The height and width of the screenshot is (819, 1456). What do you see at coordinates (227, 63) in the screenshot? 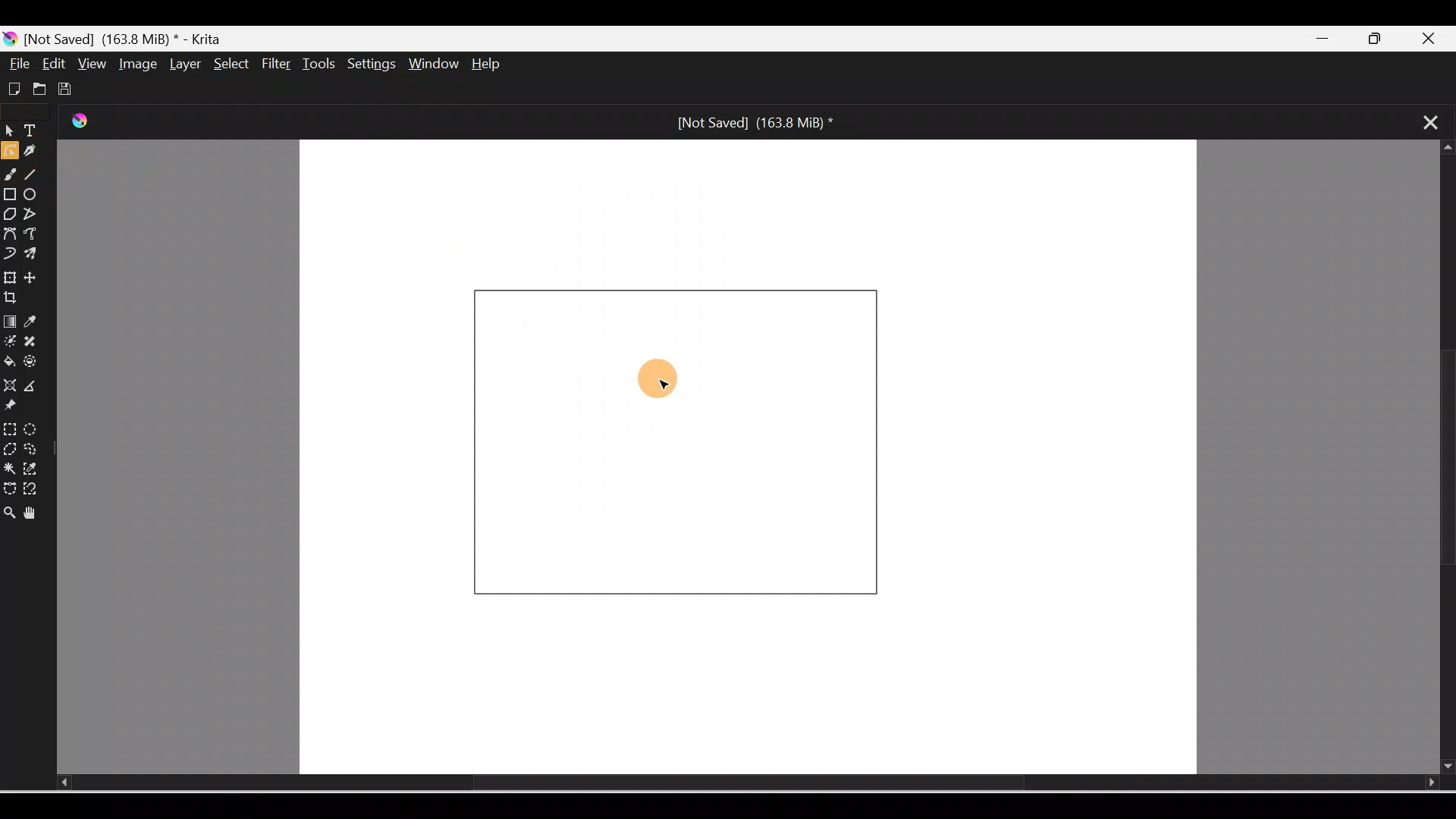
I see `Select` at bounding box center [227, 63].